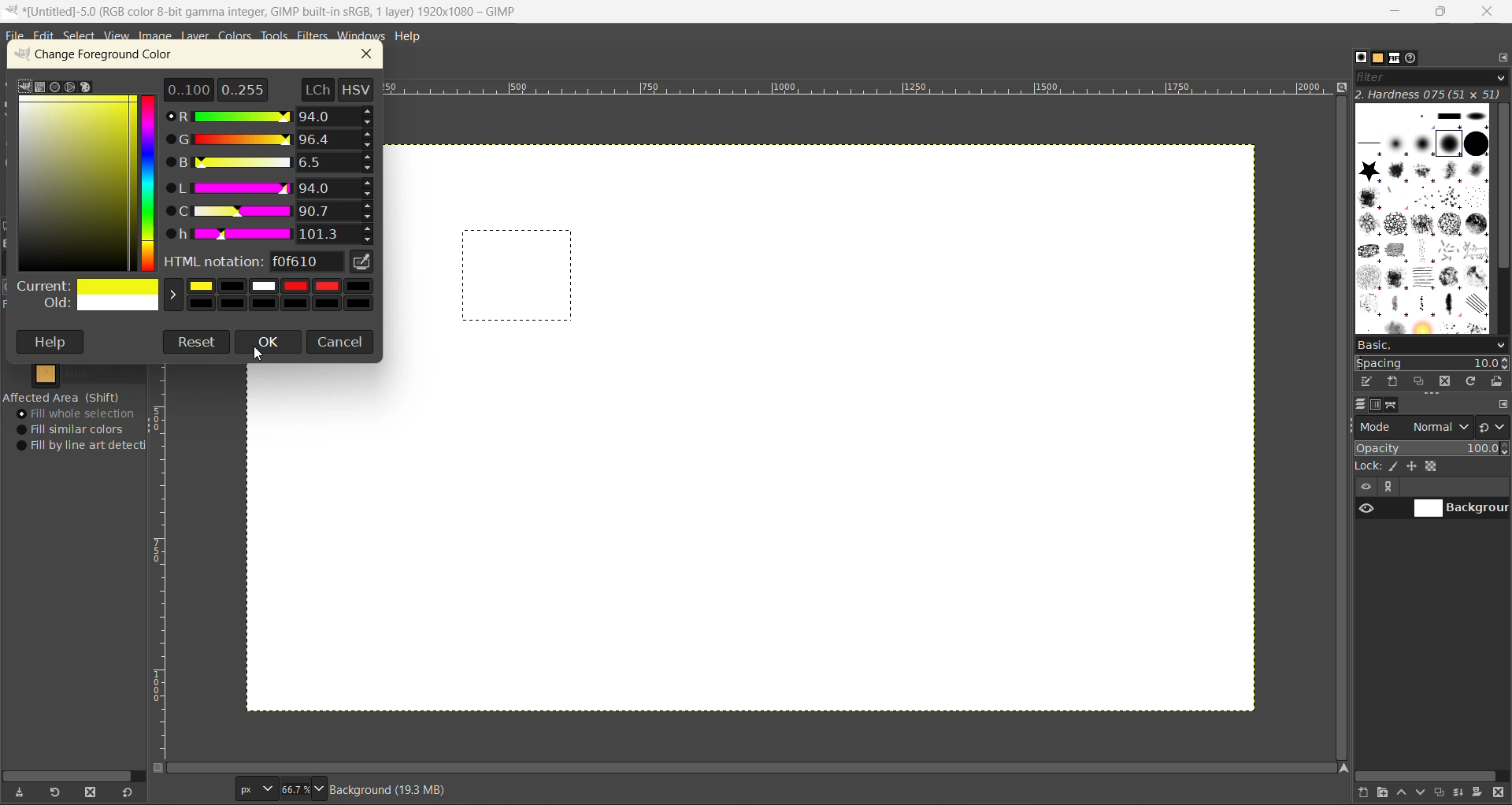  Describe the element at coordinates (358, 88) in the screenshot. I see `HSV` at that location.